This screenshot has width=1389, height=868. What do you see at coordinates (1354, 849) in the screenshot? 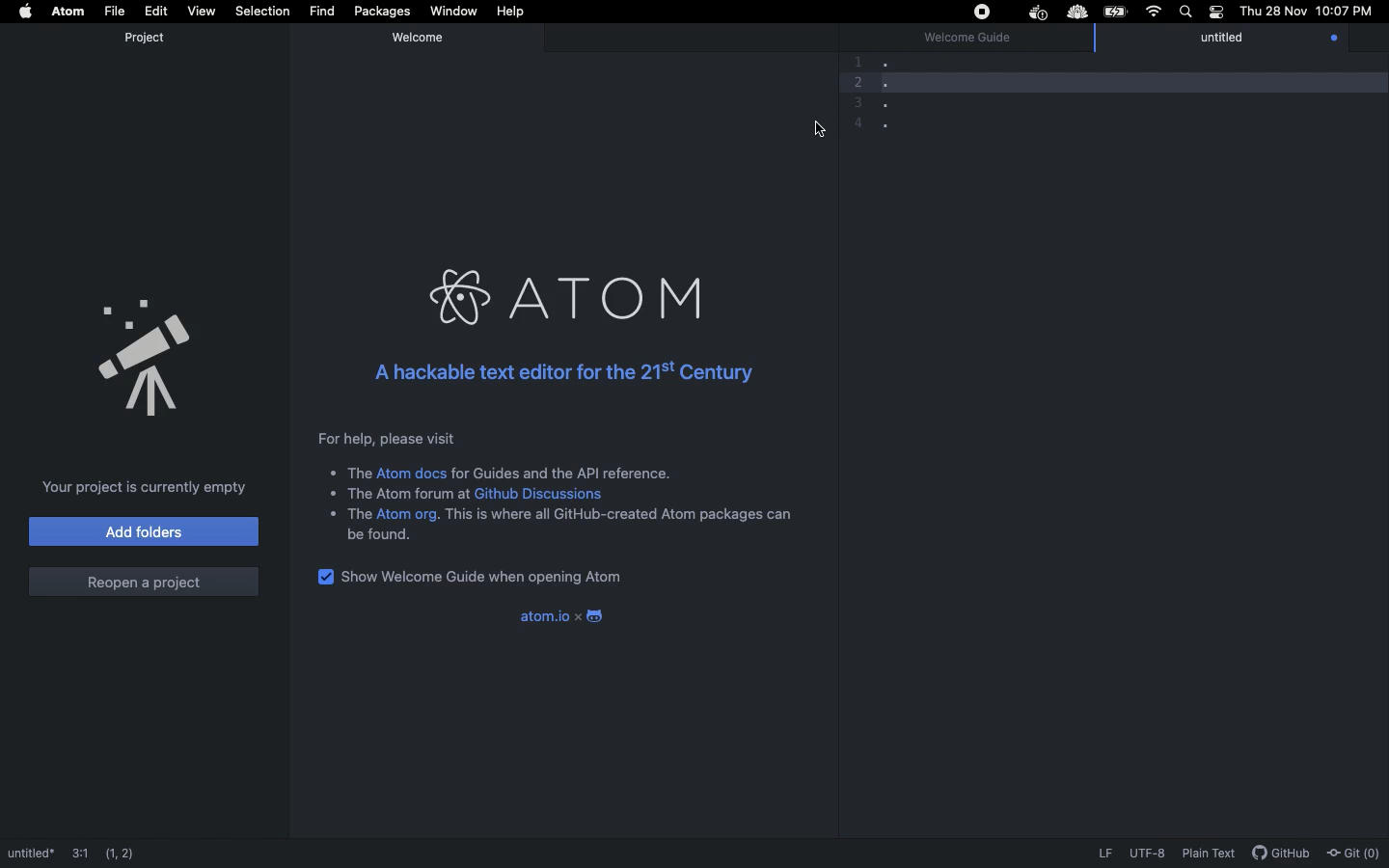
I see `Git ` at bounding box center [1354, 849].